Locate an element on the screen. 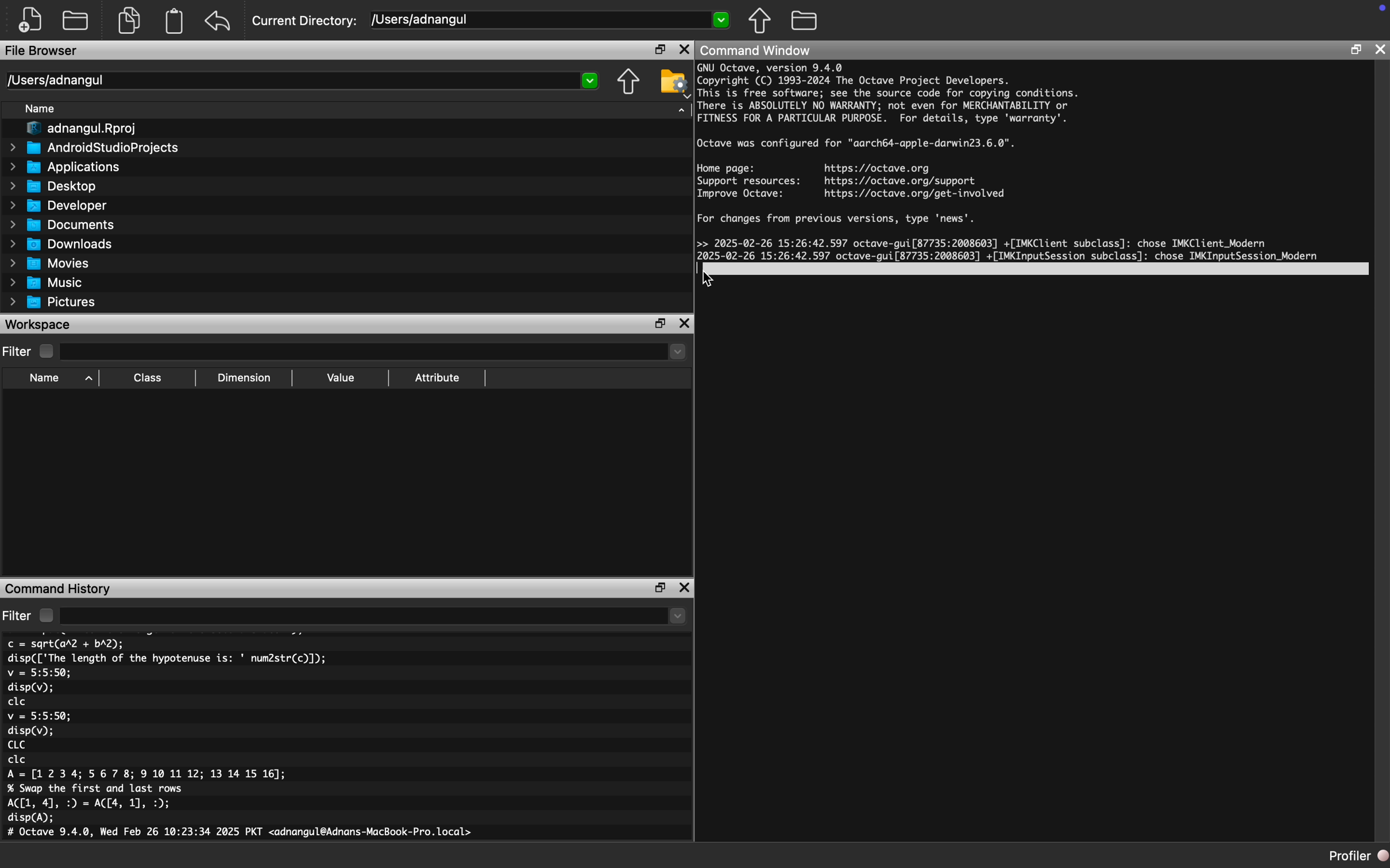 The height and width of the screenshot is (868, 1390). Clipboard is located at coordinates (173, 21).